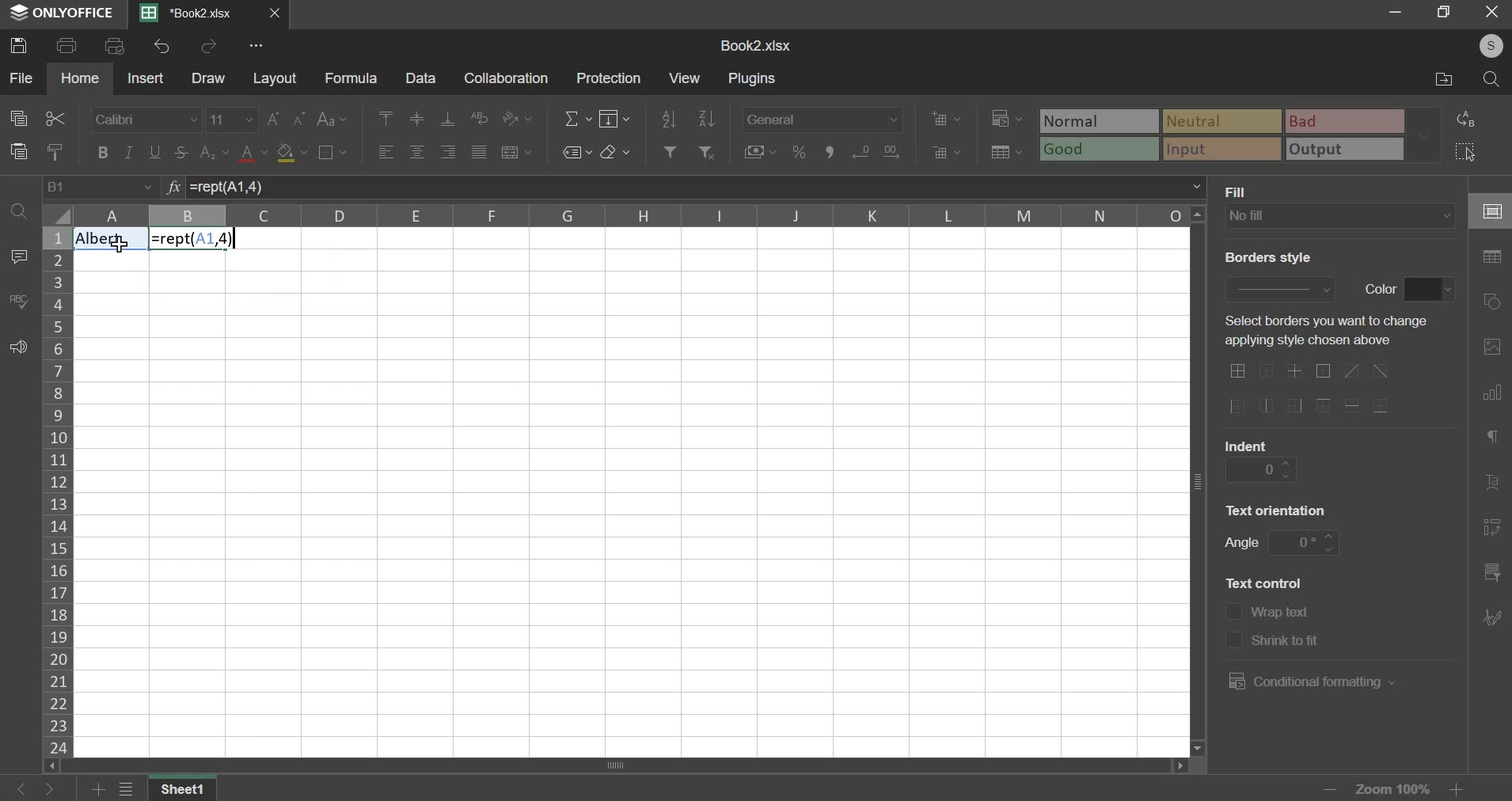  I want to click on underline, so click(155, 150).